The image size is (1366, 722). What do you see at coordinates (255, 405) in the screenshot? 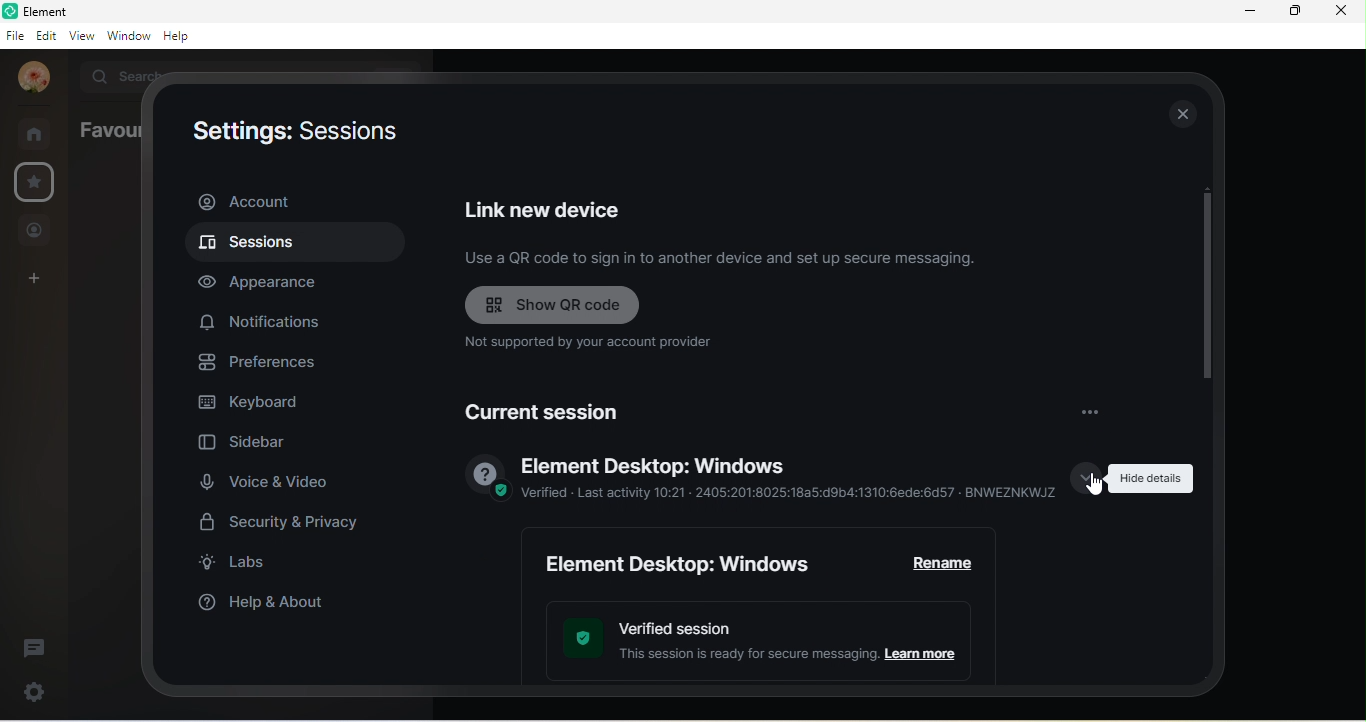
I see `keyboard` at bounding box center [255, 405].